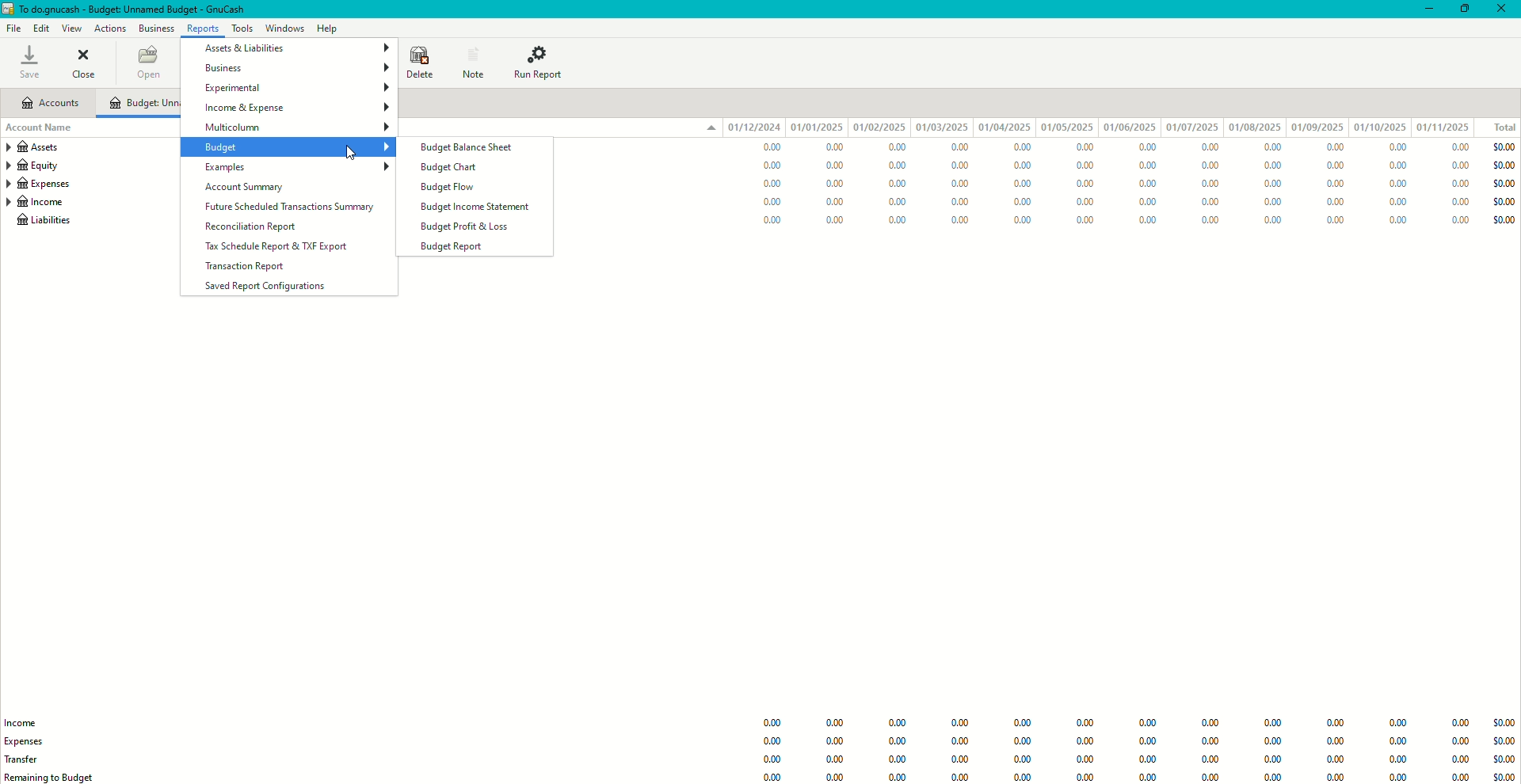  What do you see at coordinates (1458, 183) in the screenshot?
I see `0.00` at bounding box center [1458, 183].